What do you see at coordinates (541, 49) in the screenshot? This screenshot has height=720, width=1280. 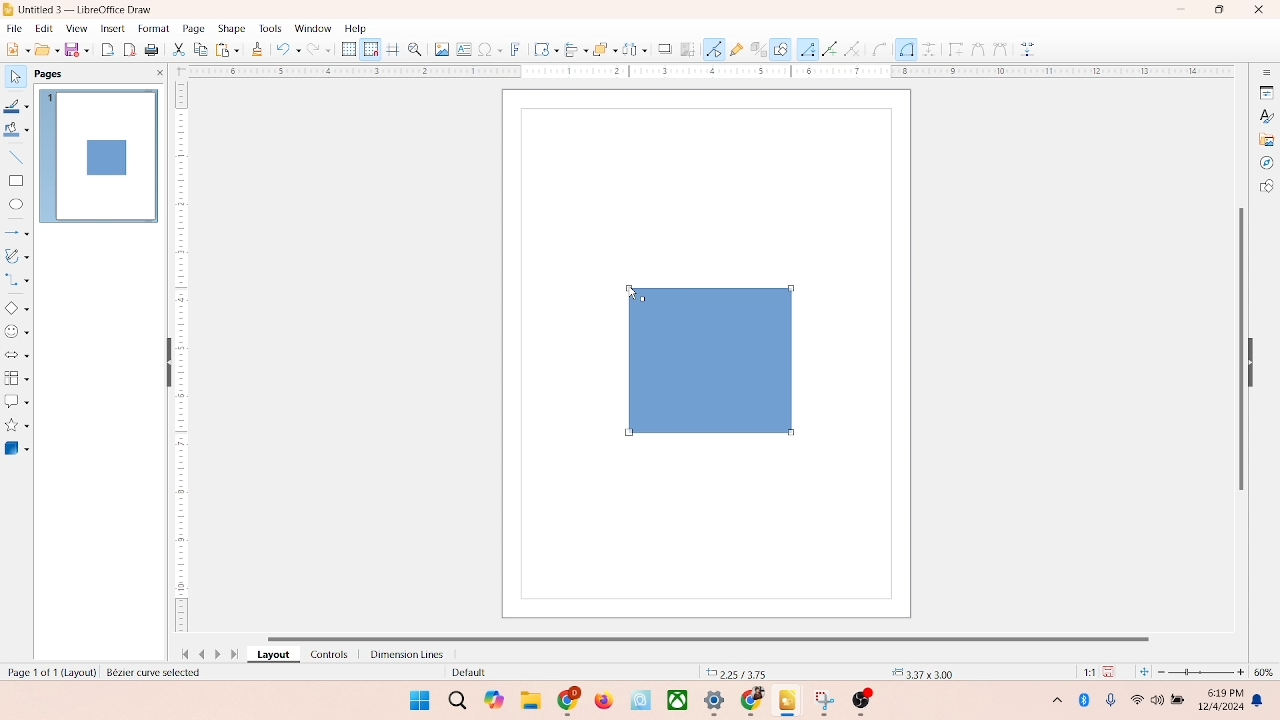 I see `transformation` at bounding box center [541, 49].